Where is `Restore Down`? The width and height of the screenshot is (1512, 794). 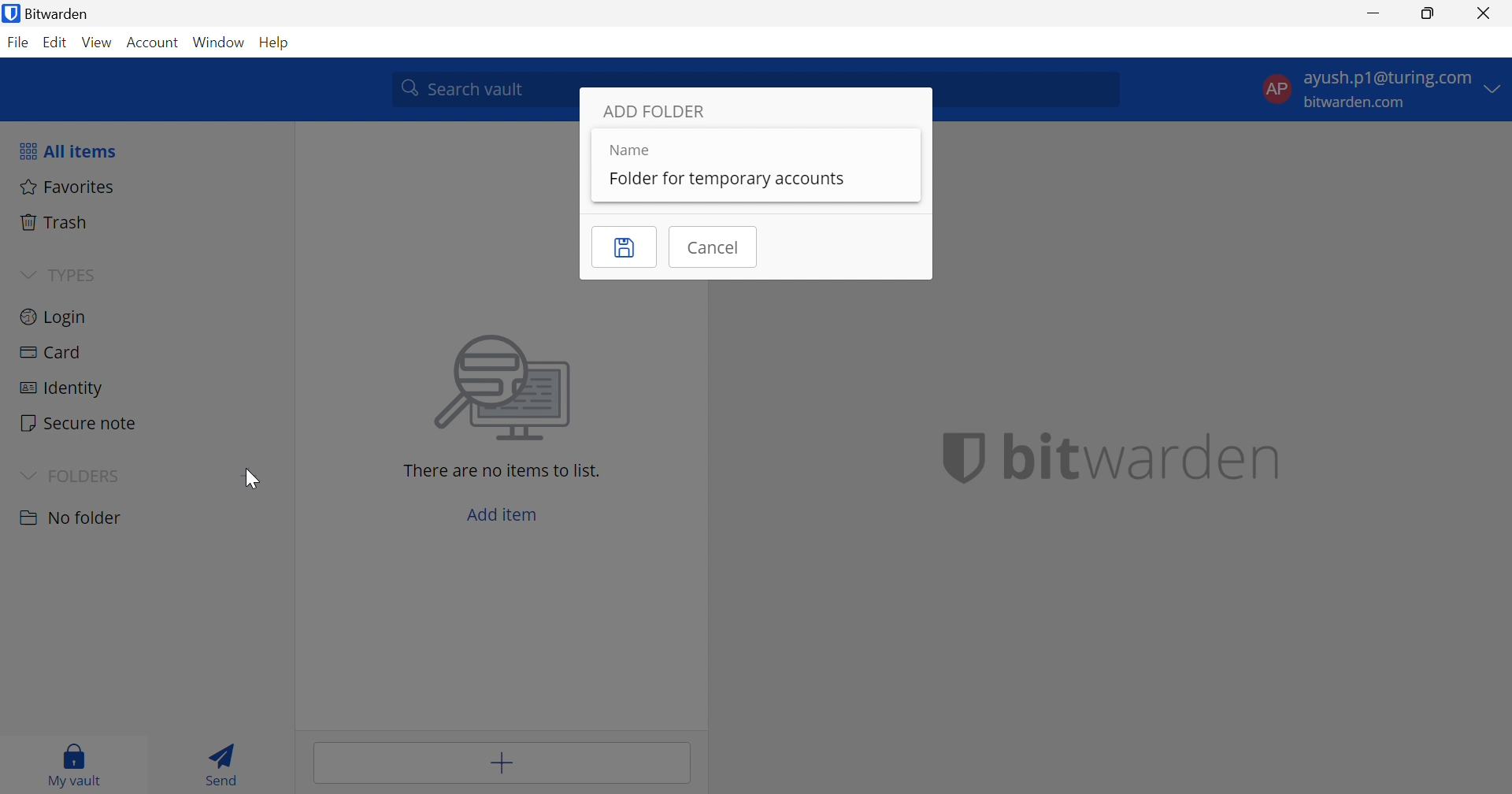
Restore Down is located at coordinates (1429, 13).